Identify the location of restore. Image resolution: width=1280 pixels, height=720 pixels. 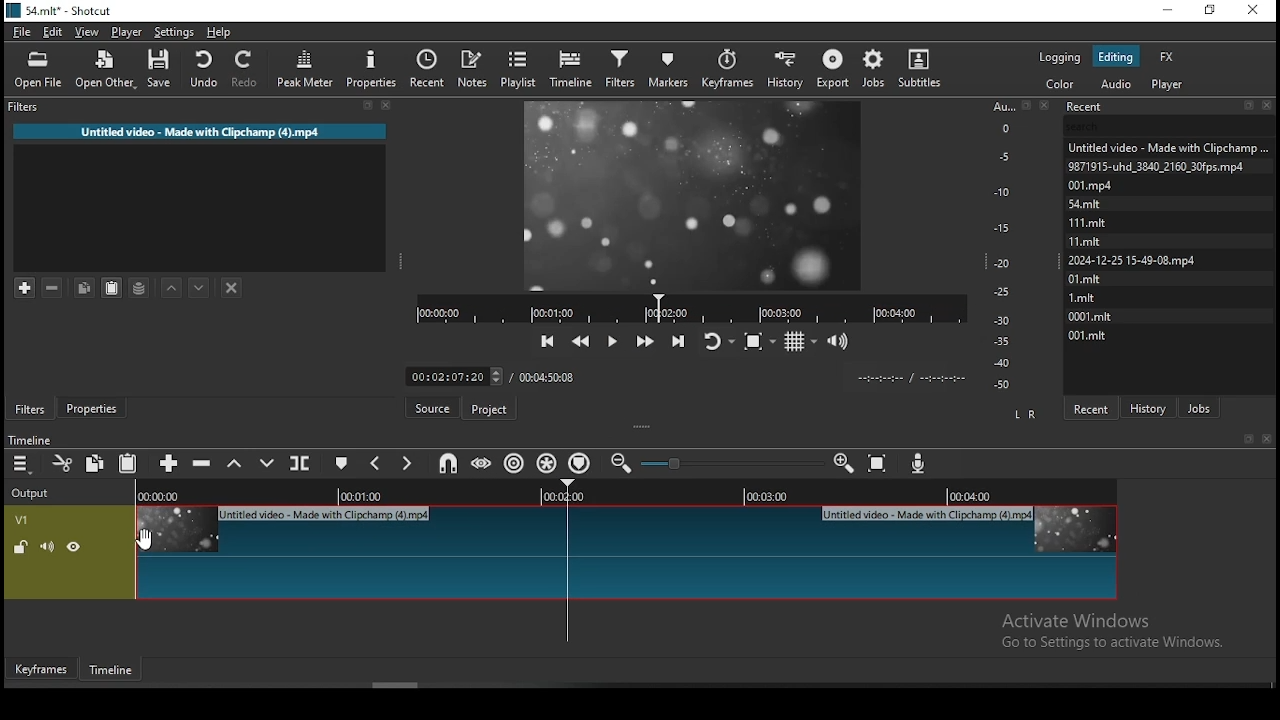
(1211, 11).